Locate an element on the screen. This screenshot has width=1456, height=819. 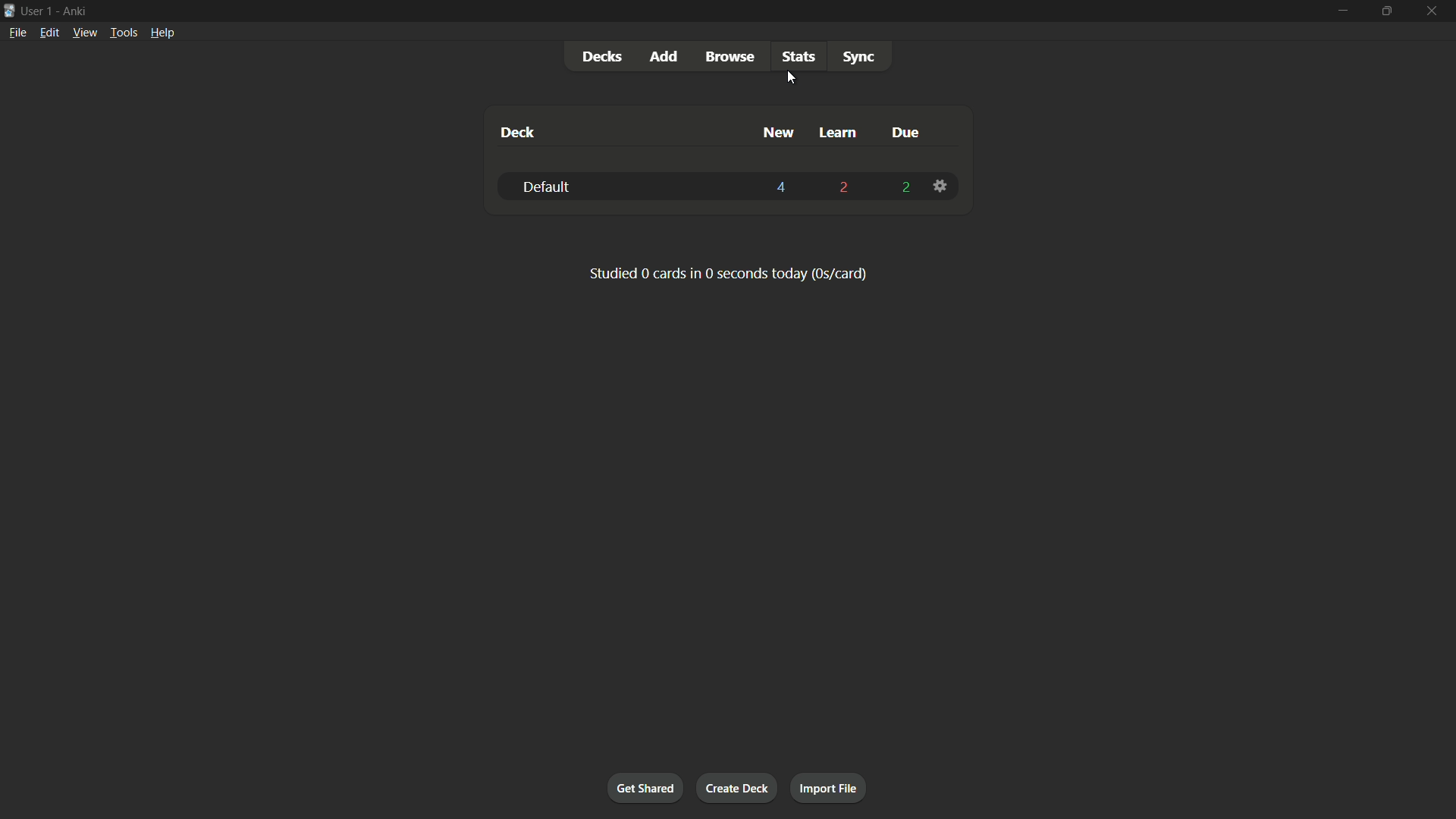
2 is located at coordinates (905, 186).